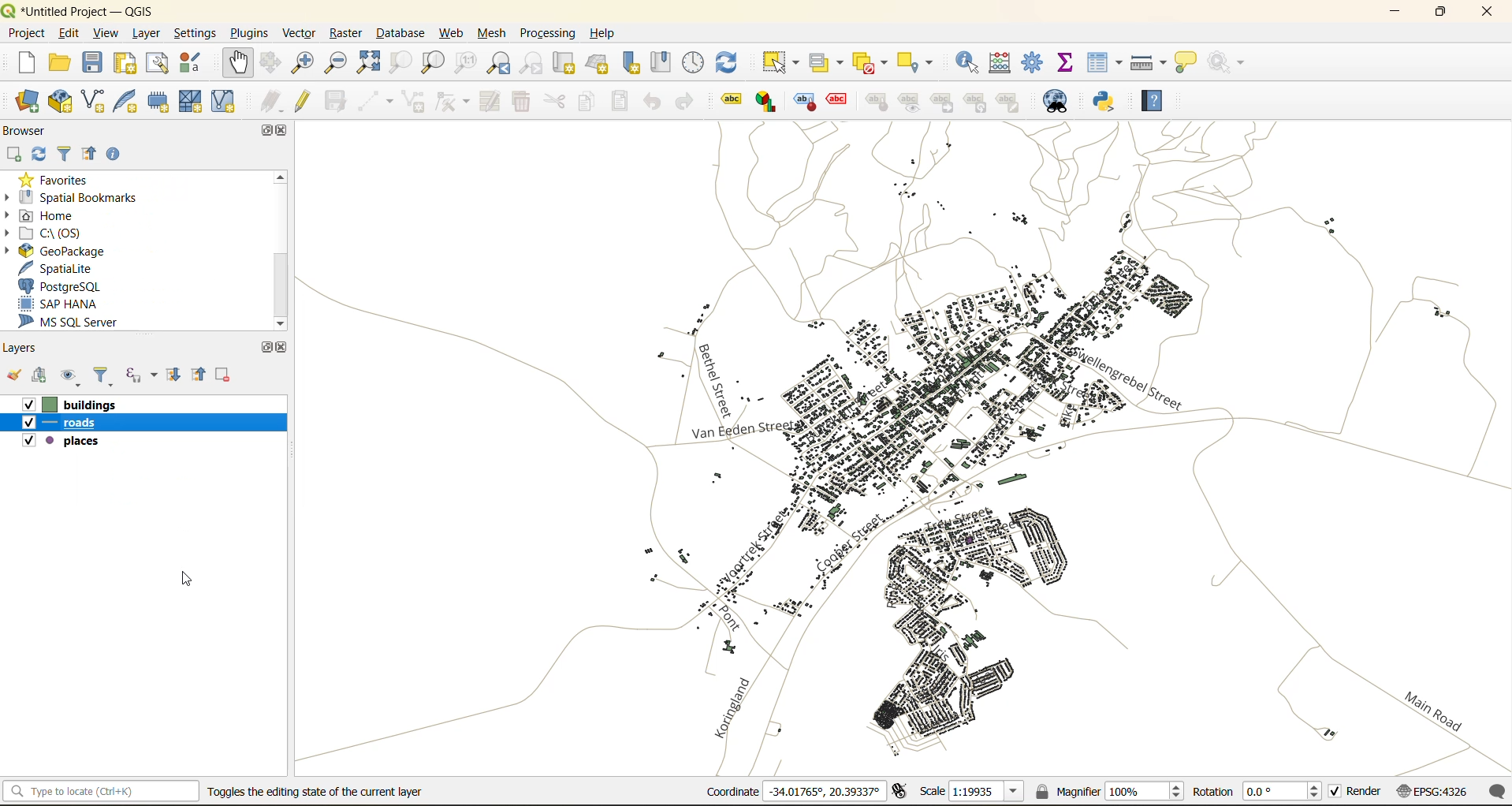  I want to click on maximize, so click(265, 130).